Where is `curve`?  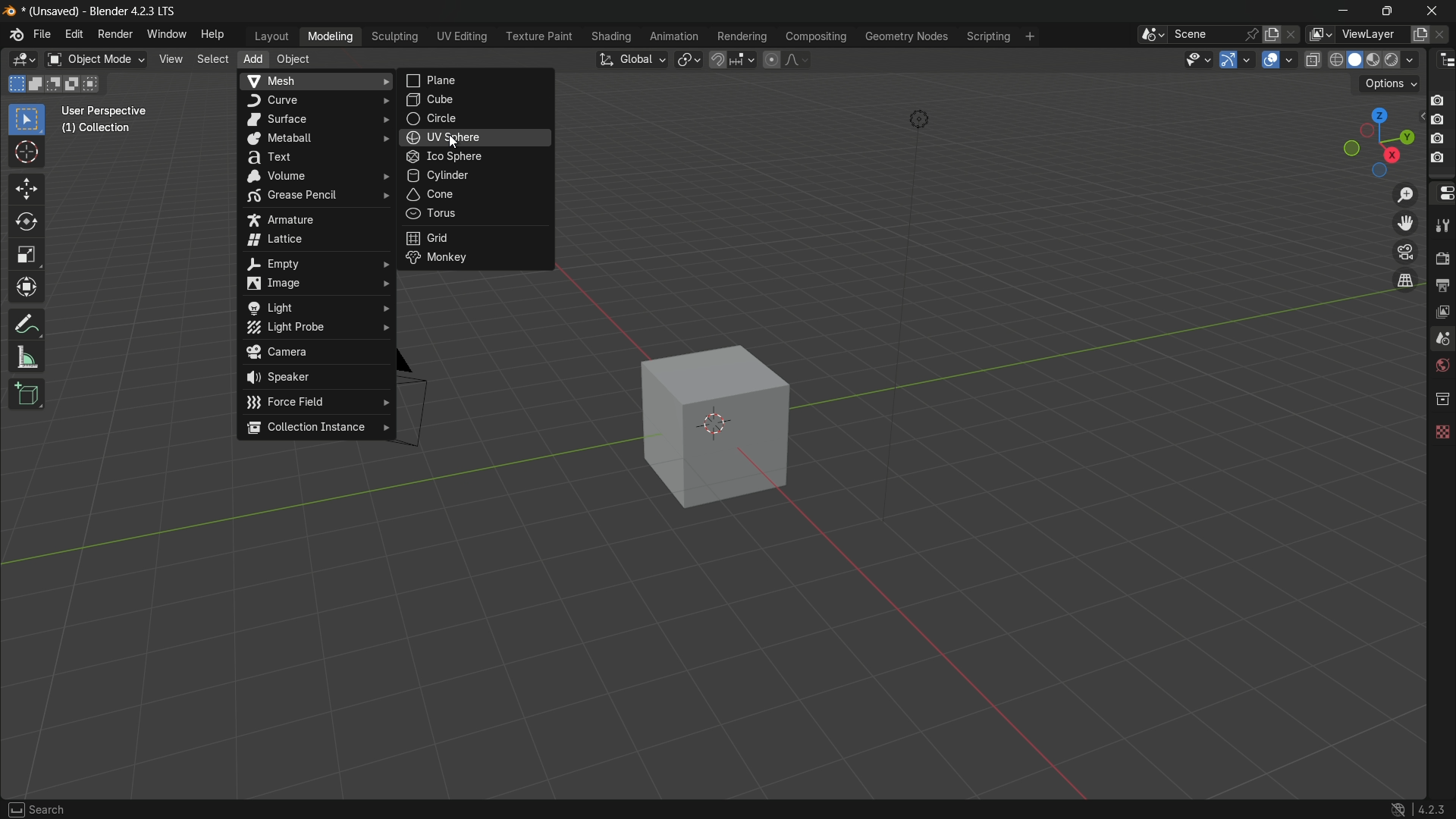
curve is located at coordinates (317, 99).